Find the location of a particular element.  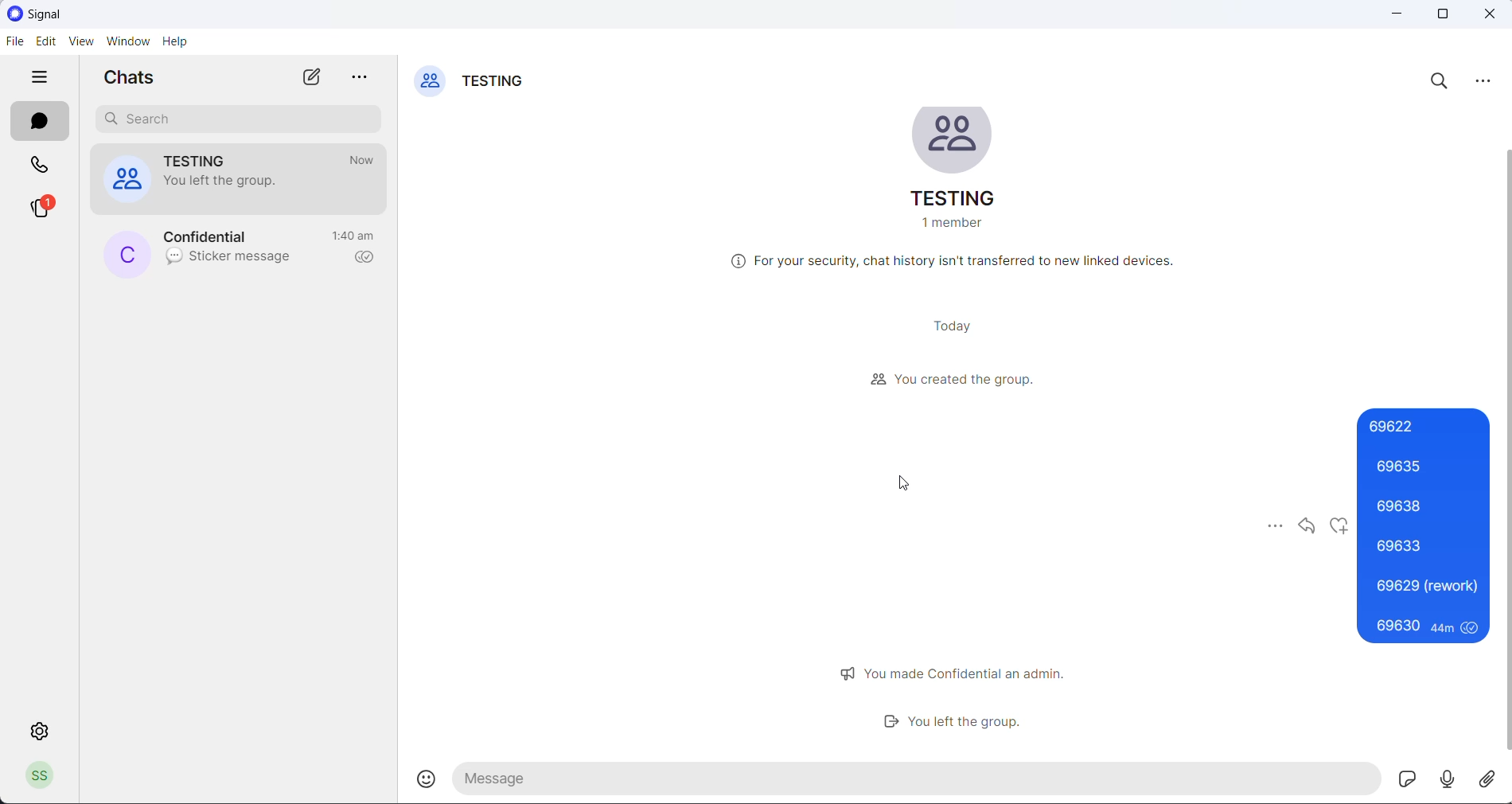

settings is located at coordinates (39, 732).